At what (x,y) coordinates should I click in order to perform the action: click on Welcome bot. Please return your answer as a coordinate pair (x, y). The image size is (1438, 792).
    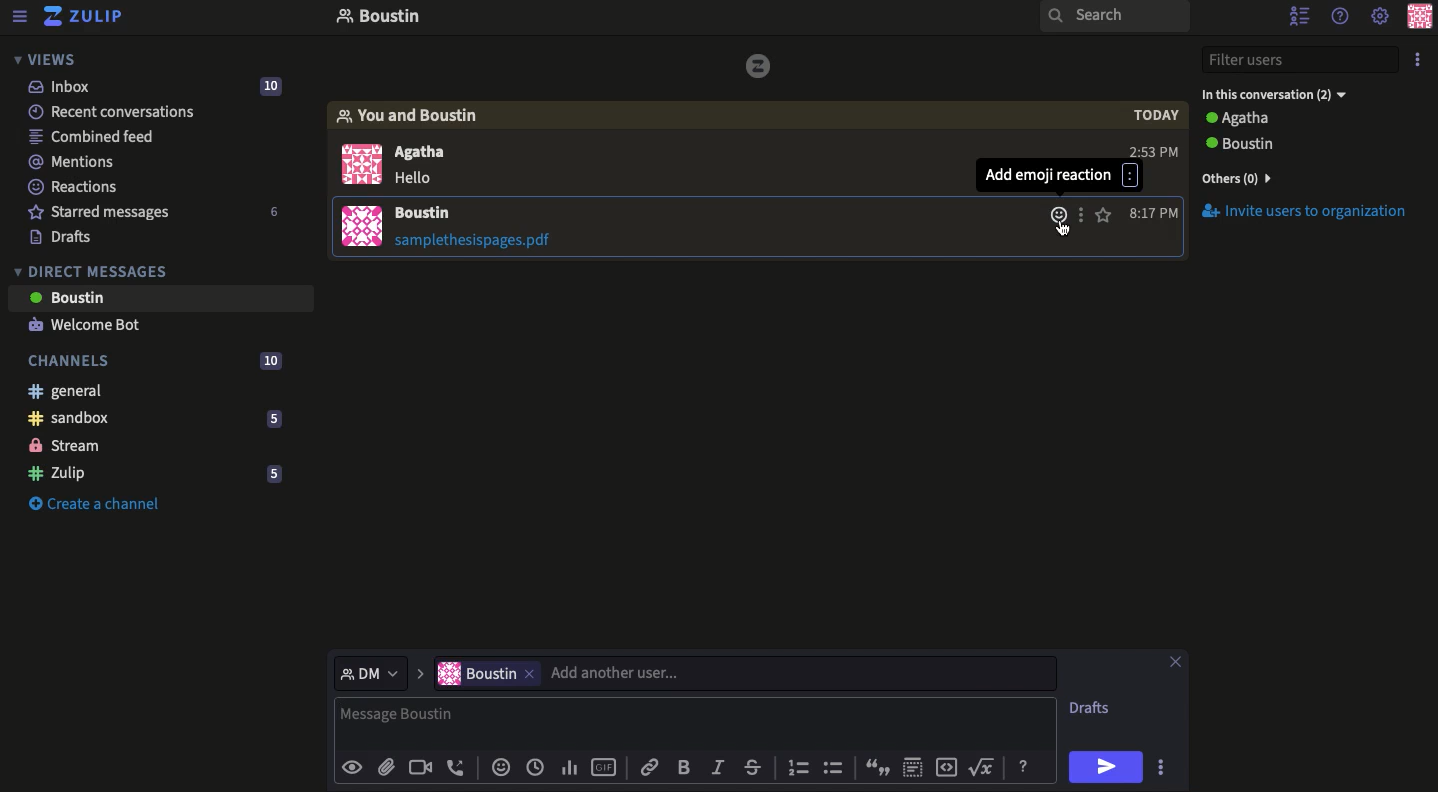
    Looking at the image, I should click on (90, 326).